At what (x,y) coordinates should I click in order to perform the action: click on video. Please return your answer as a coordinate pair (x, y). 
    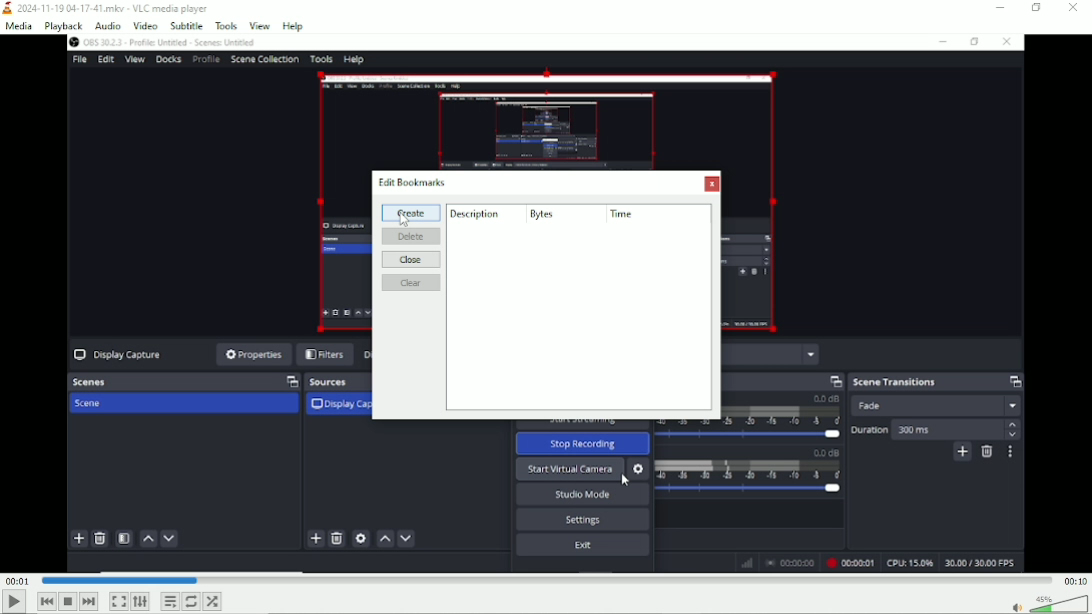
    Looking at the image, I should click on (566, 102).